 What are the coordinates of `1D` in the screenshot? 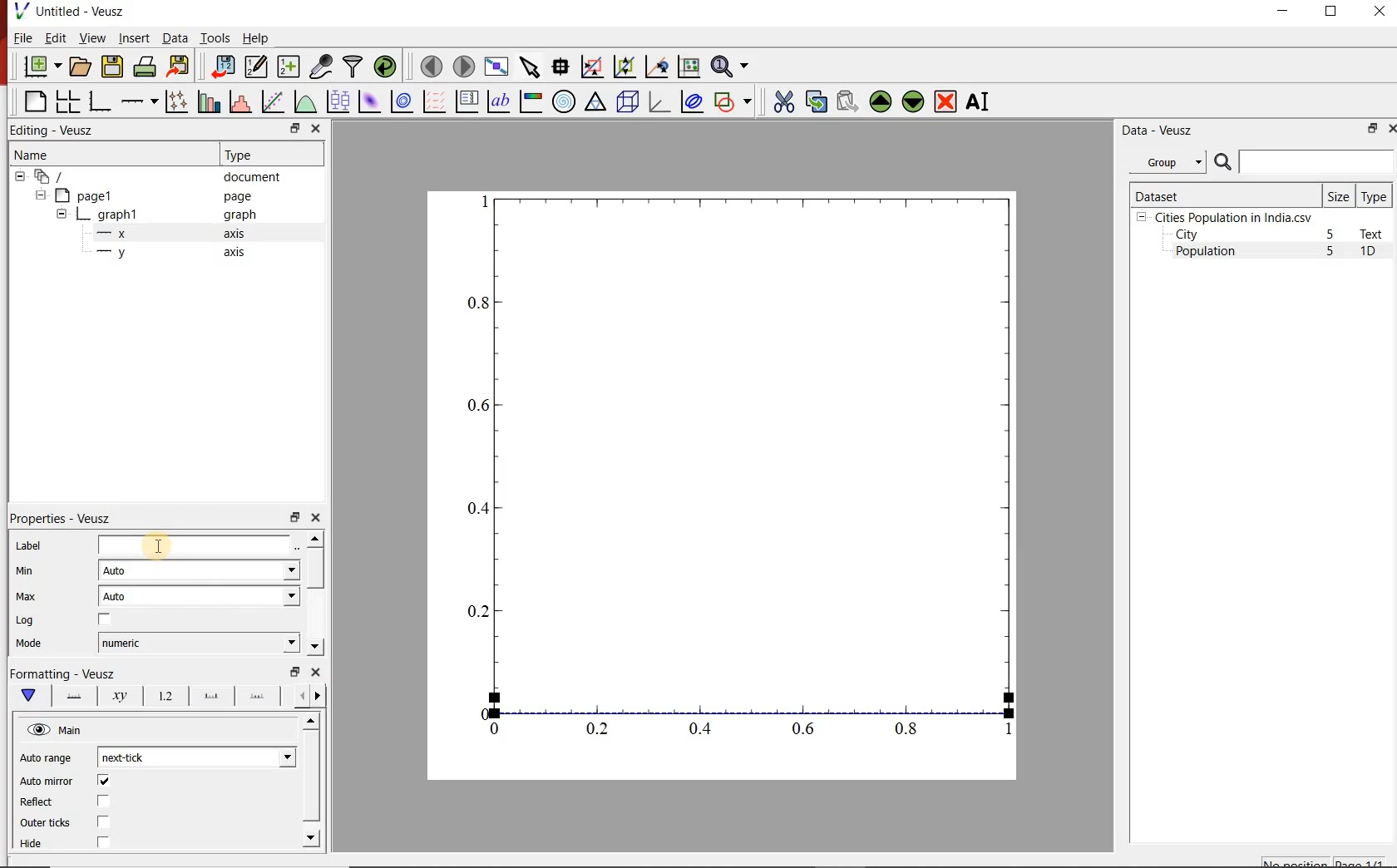 It's located at (1375, 253).